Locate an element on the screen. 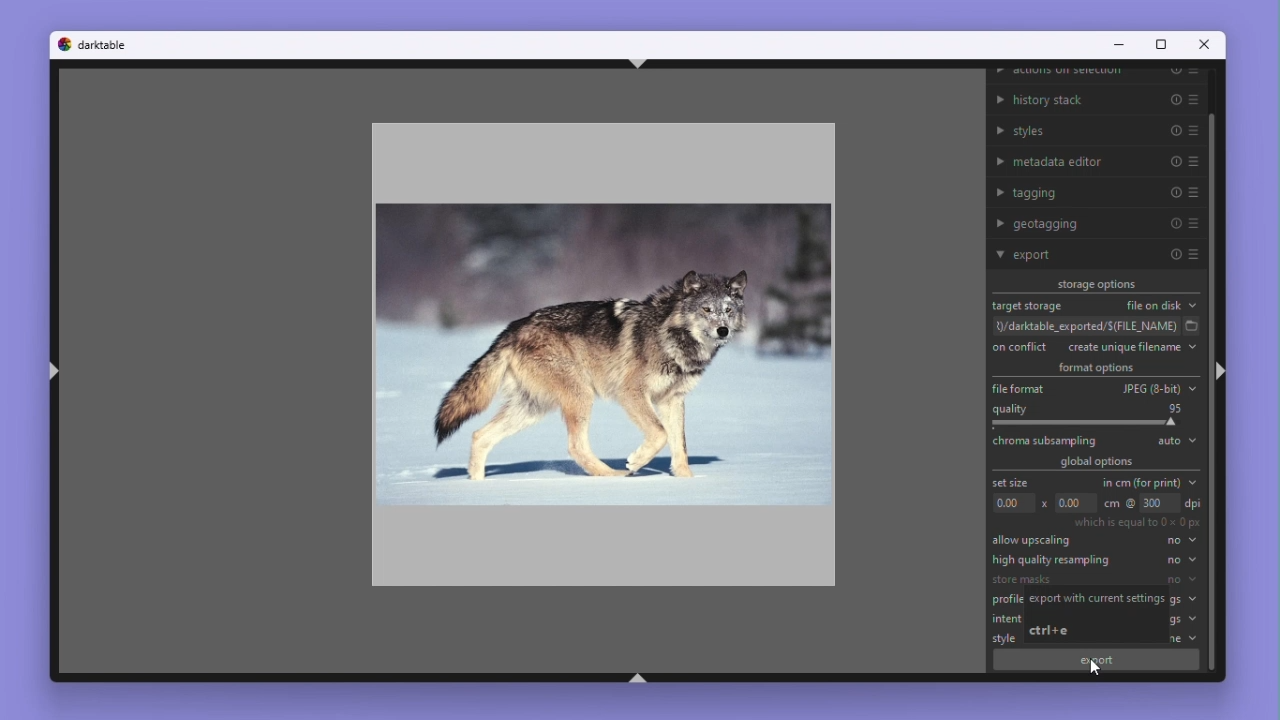  profile is located at coordinates (1007, 599).